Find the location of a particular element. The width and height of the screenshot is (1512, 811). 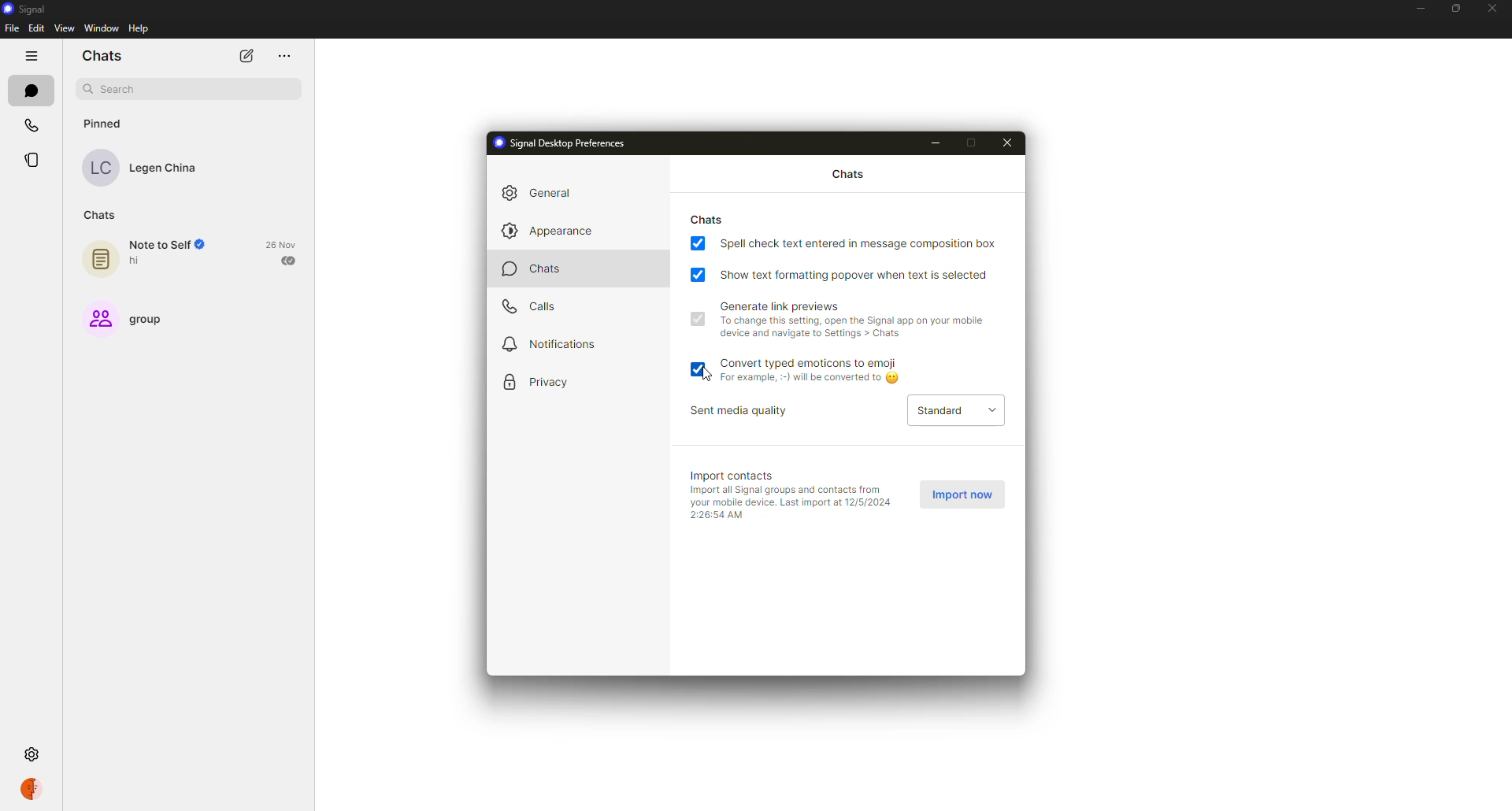

enabled is located at coordinates (697, 318).